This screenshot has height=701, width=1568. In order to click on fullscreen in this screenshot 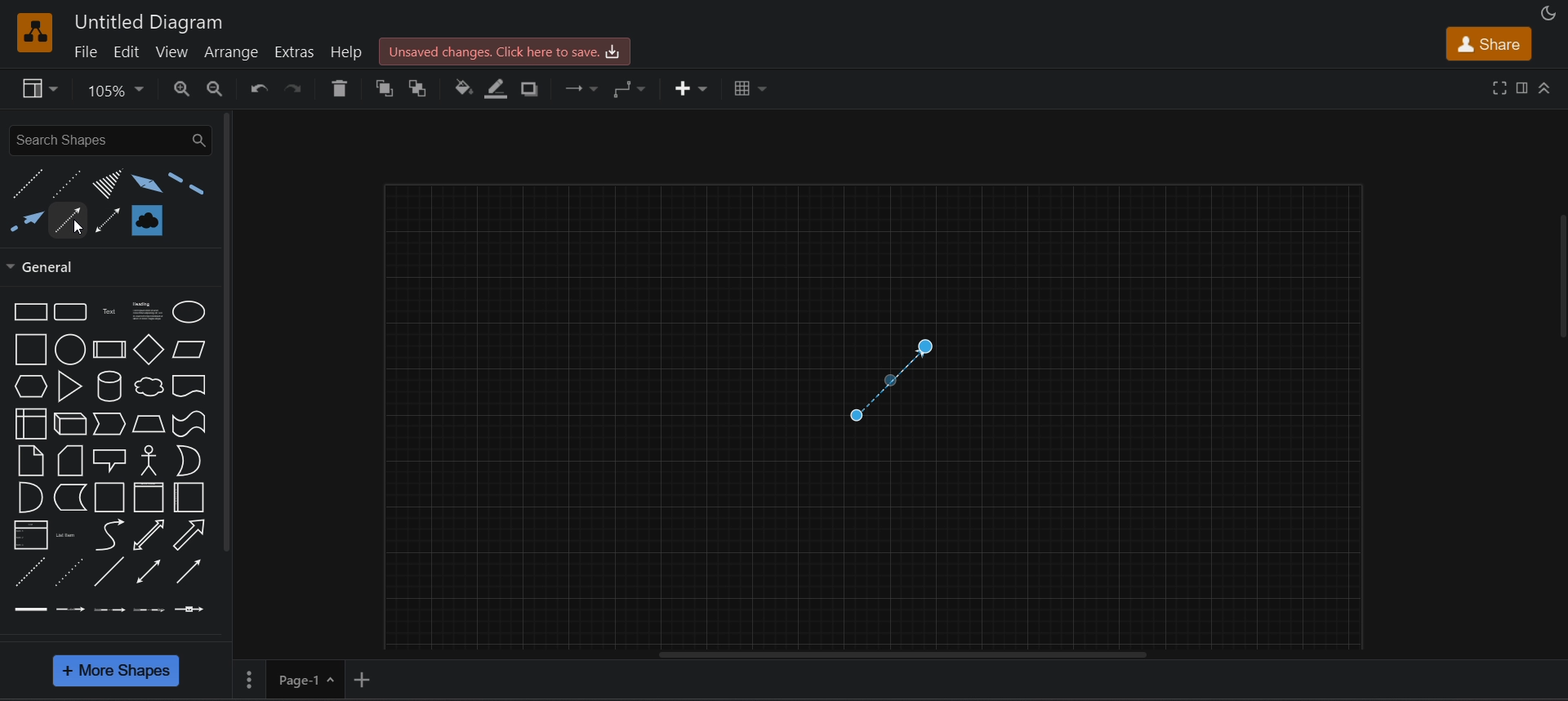, I will do `click(1499, 88)`.